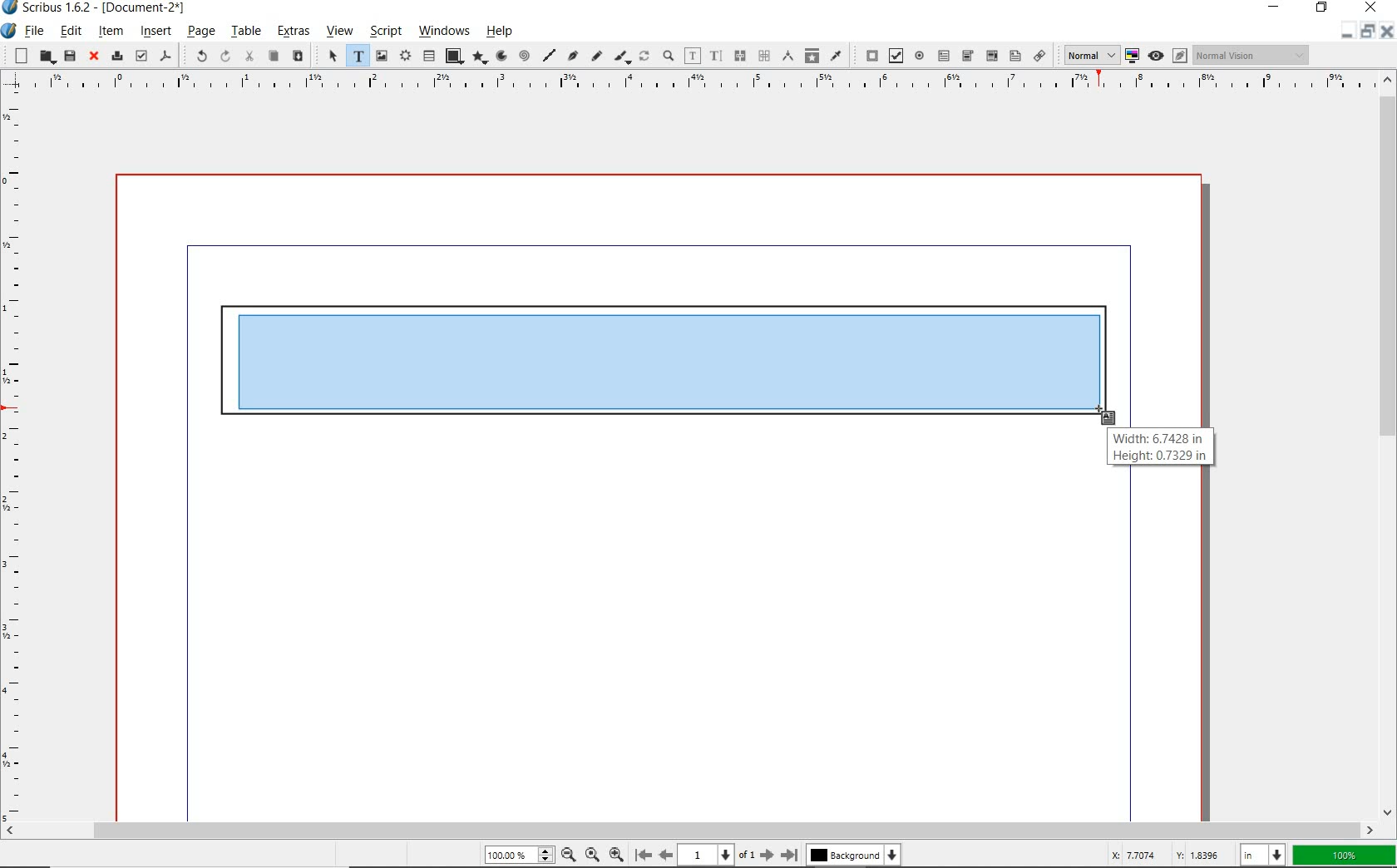 Image resolution: width=1397 pixels, height=868 pixels. I want to click on copy, so click(273, 57).